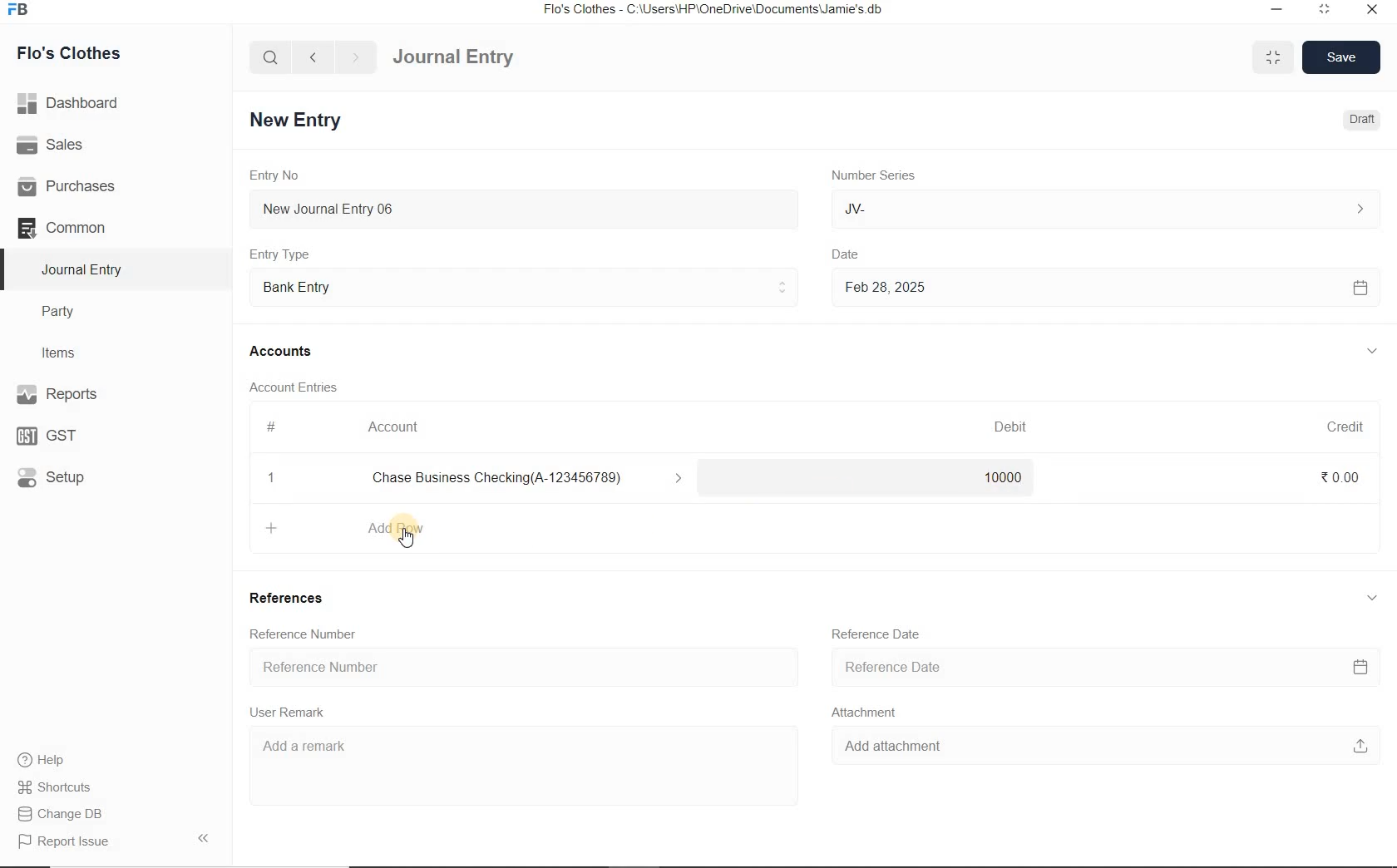  Describe the element at coordinates (514, 755) in the screenshot. I see `Add a remark` at that location.